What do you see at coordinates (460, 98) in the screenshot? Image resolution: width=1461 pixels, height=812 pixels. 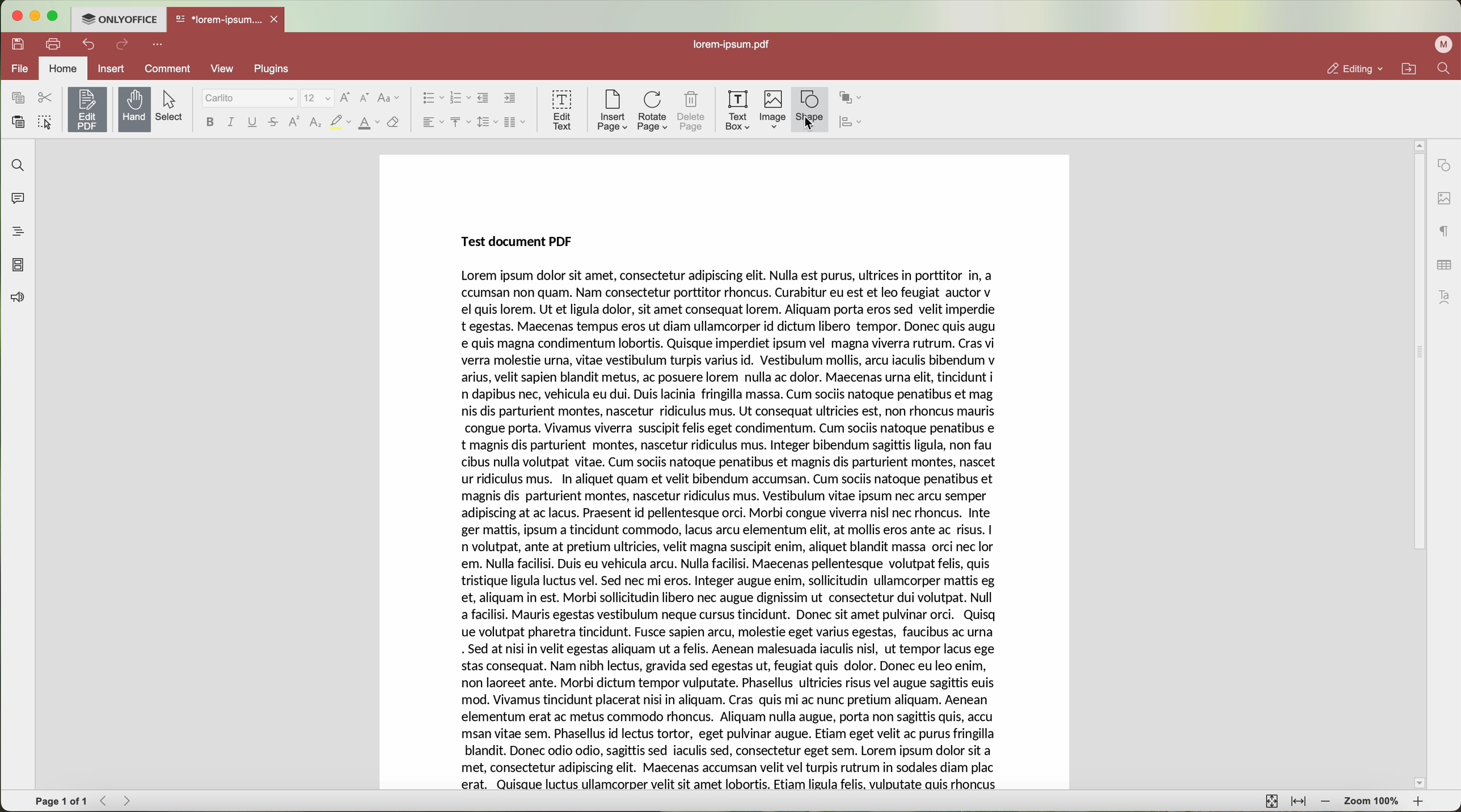 I see `numbered list` at bounding box center [460, 98].